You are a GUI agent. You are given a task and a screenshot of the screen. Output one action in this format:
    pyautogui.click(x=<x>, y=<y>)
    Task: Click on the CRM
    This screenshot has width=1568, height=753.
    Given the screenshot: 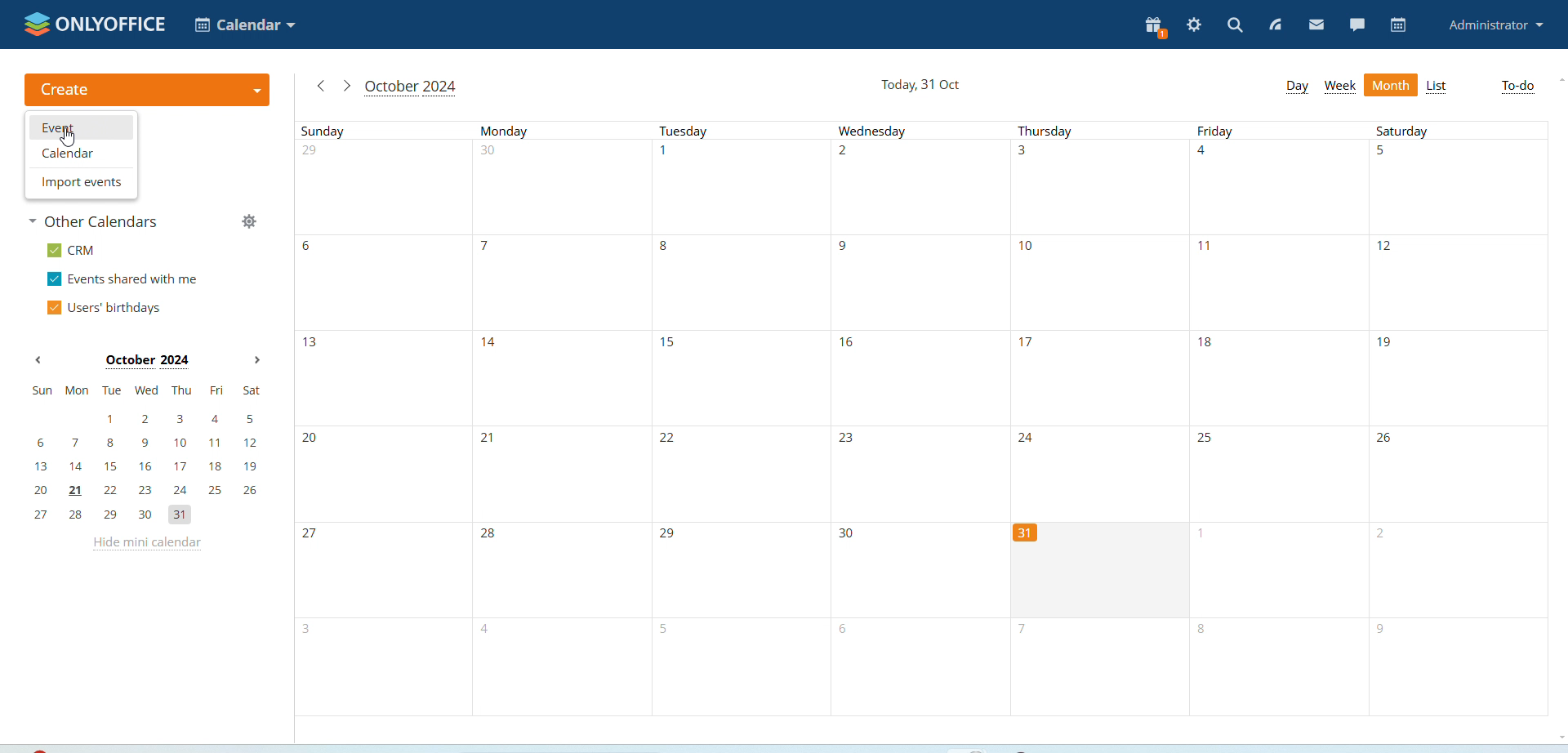 What is the action you would take?
    pyautogui.click(x=73, y=250)
    